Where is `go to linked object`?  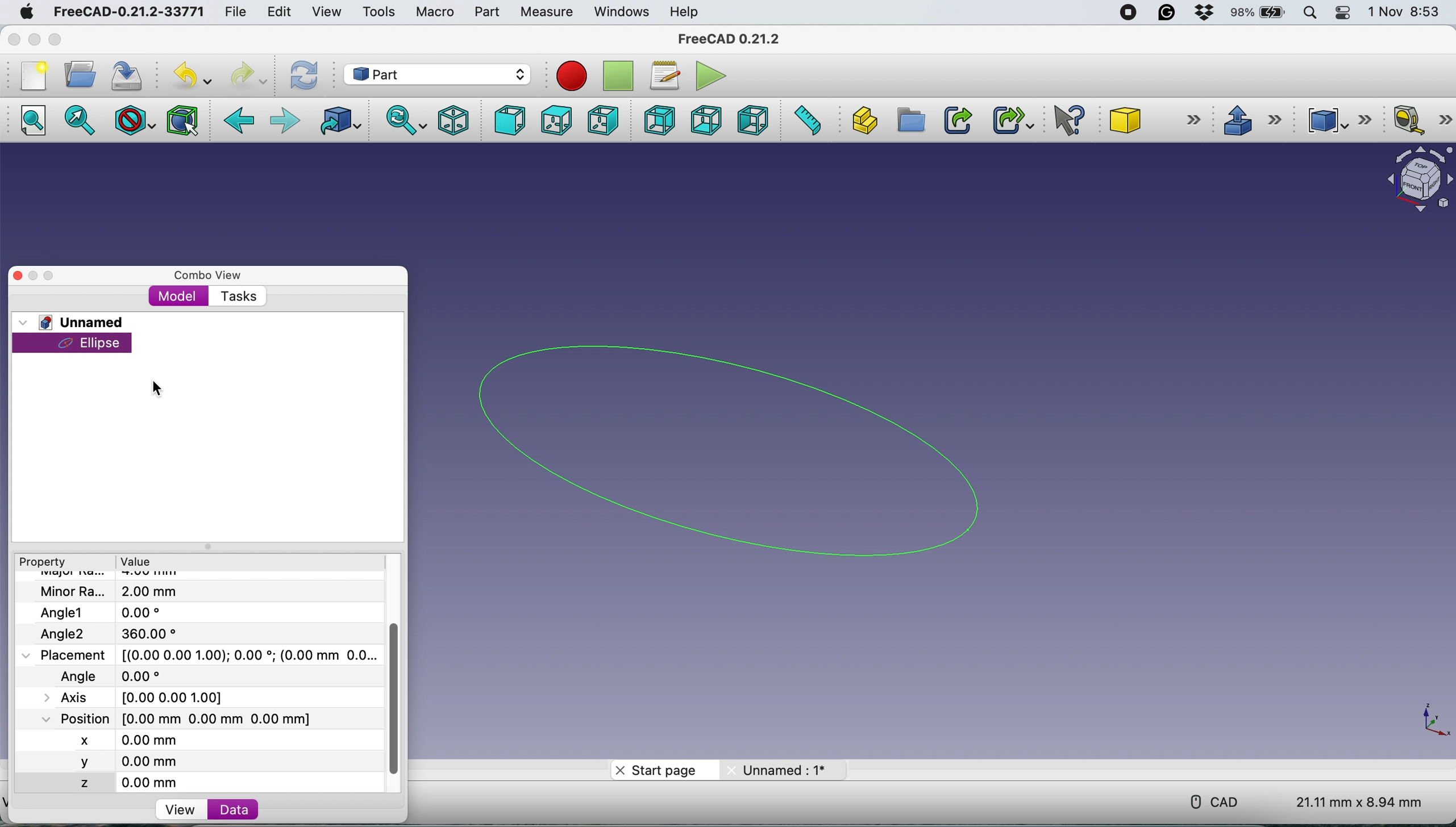 go to linked object is located at coordinates (337, 120).